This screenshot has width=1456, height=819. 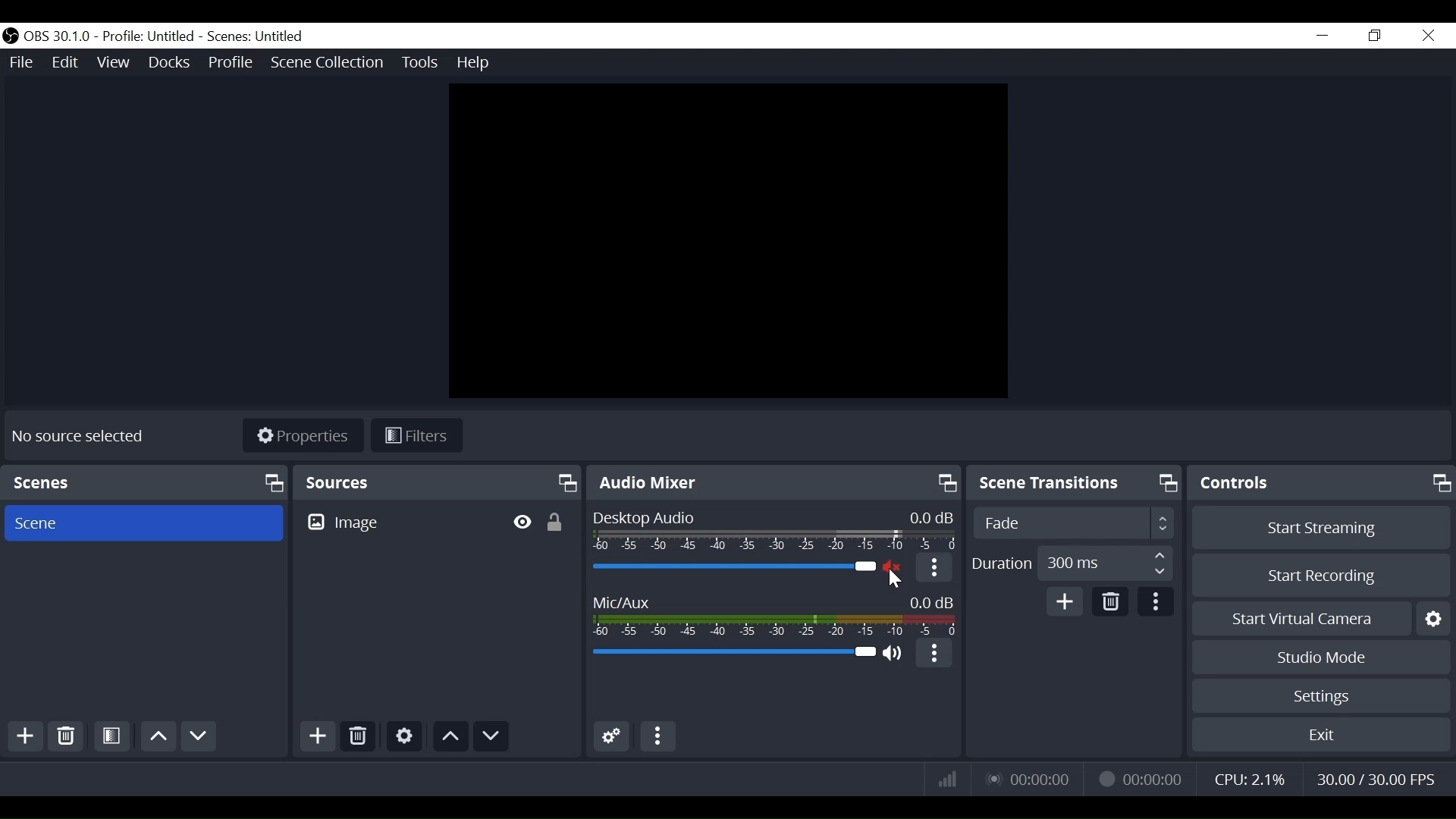 What do you see at coordinates (1072, 563) in the screenshot?
I see `Duration` at bounding box center [1072, 563].